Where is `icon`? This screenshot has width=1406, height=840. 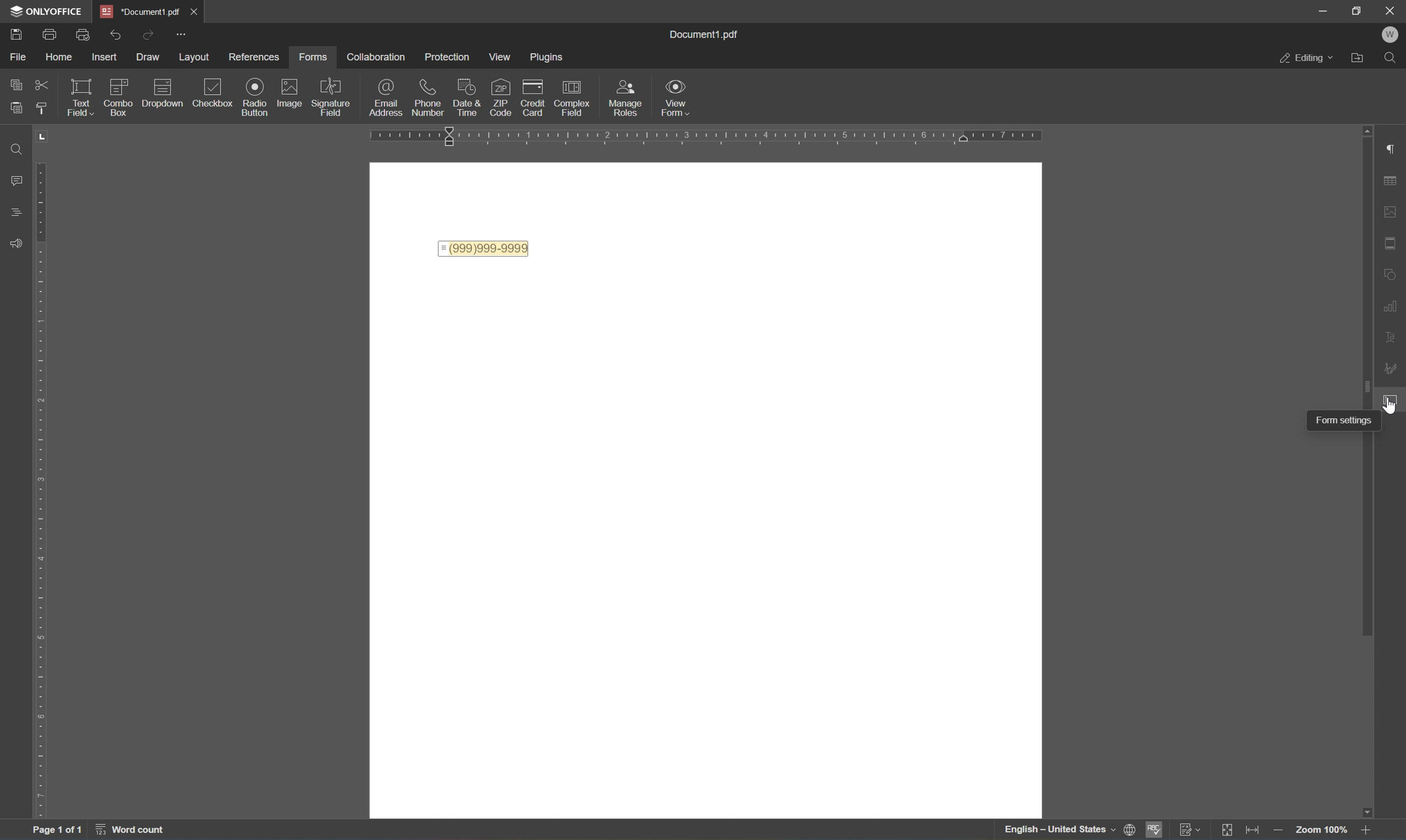
icon is located at coordinates (536, 91).